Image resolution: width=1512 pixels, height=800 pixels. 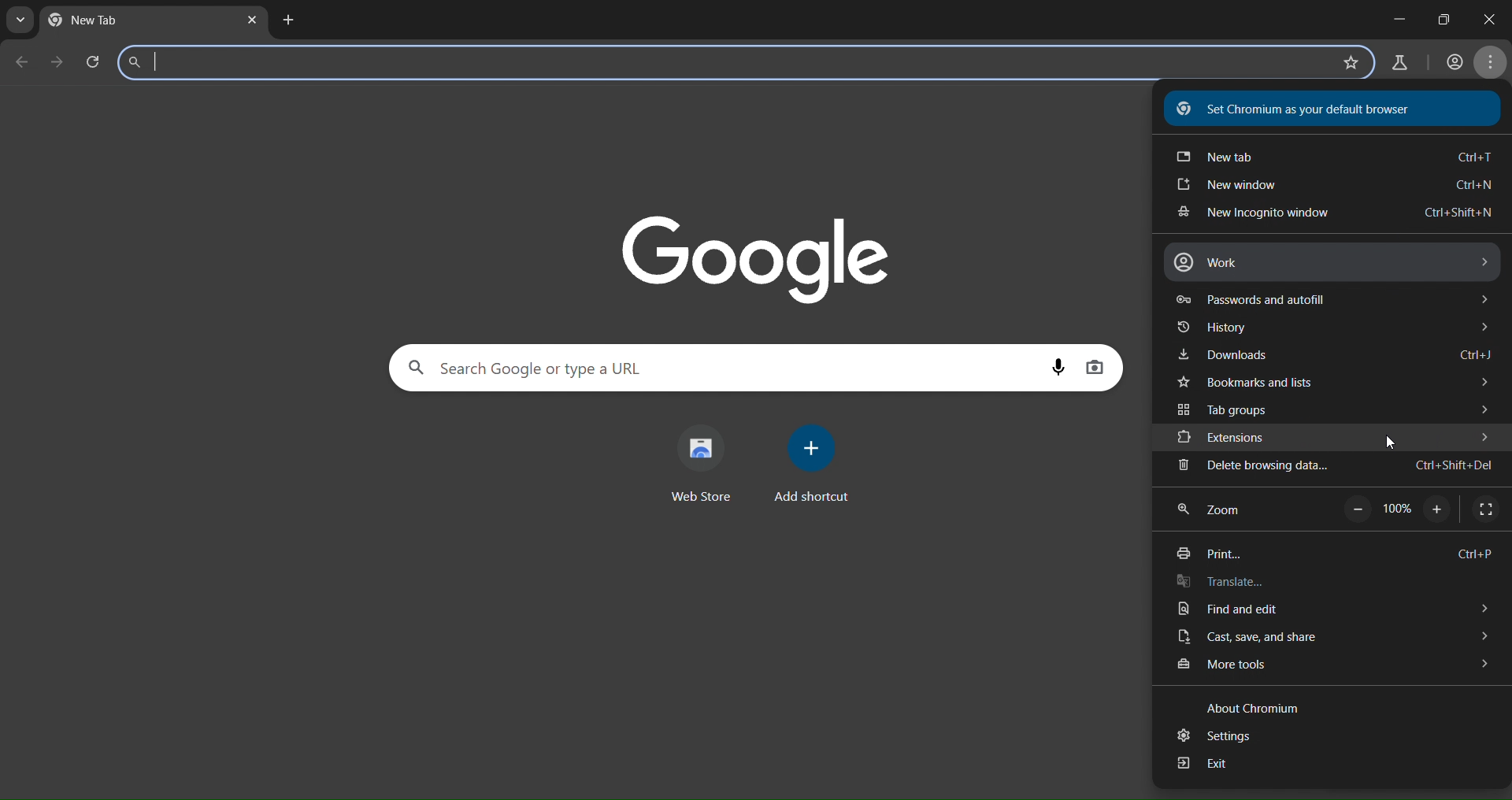 What do you see at coordinates (1253, 707) in the screenshot?
I see `about chromium` at bounding box center [1253, 707].